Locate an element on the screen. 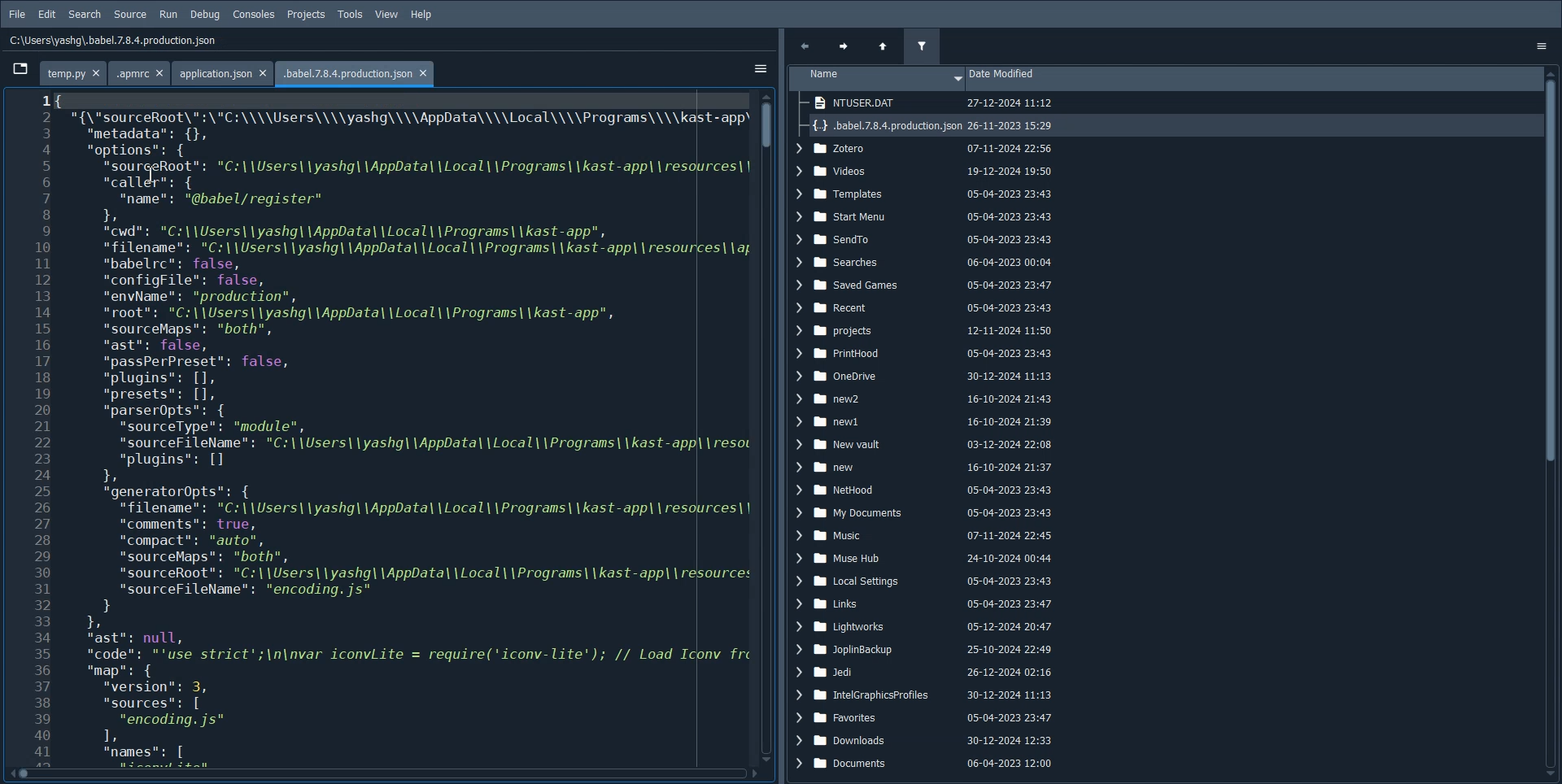 The height and width of the screenshot is (784, 1562). Next is located at coordinates (847, 45).